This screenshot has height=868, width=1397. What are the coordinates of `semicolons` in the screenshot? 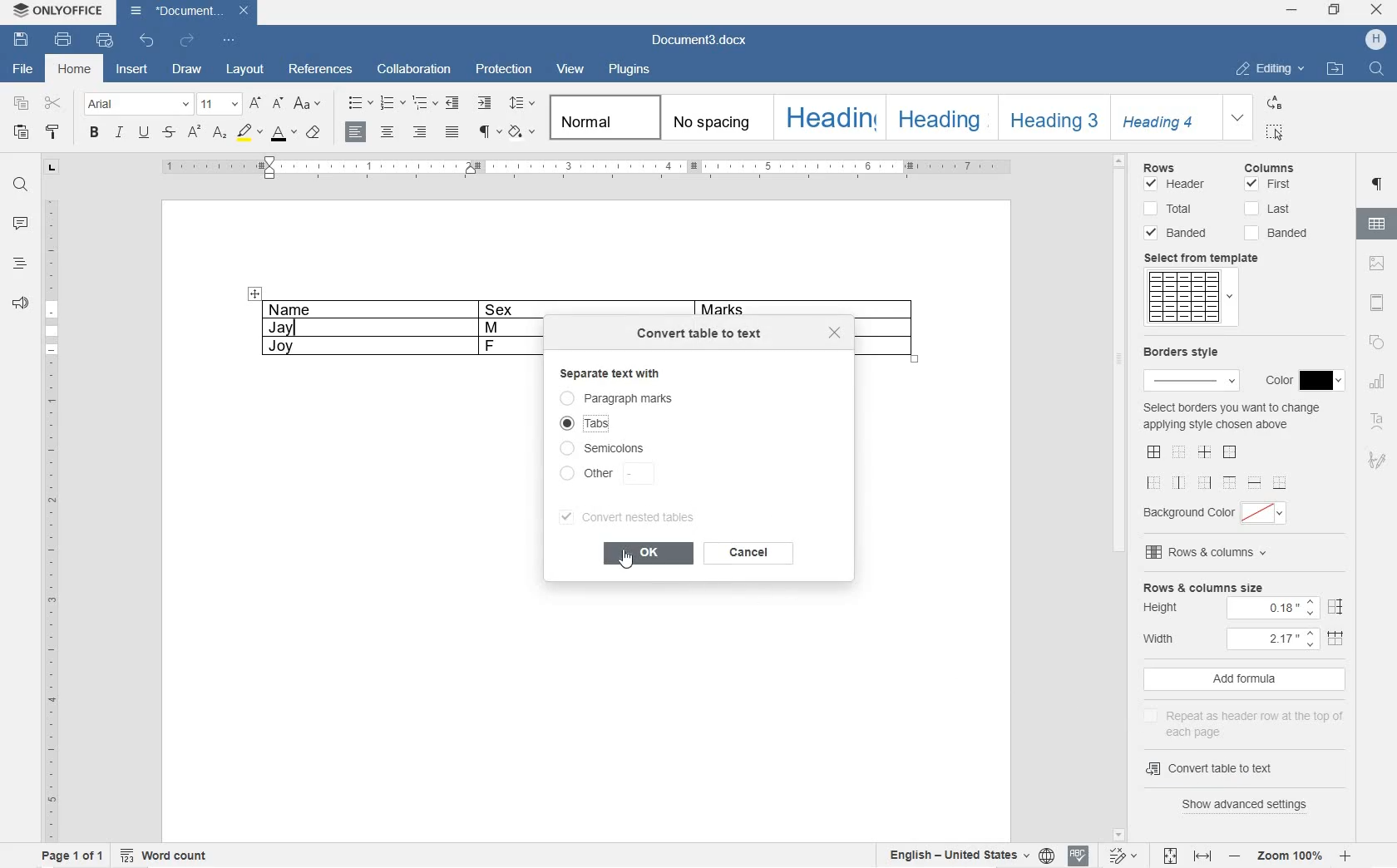 It's located at (606, 448).